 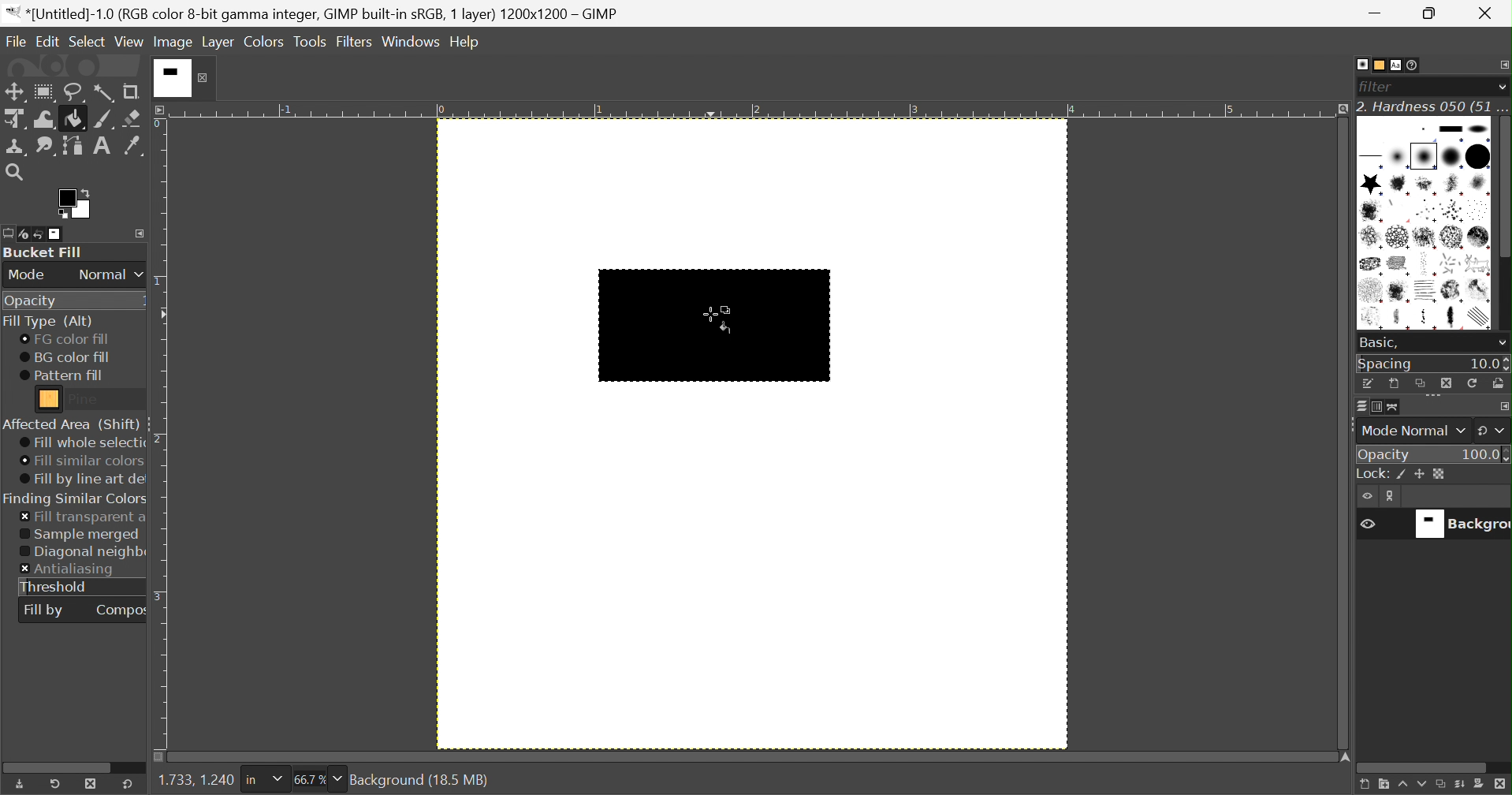 I want to click on 1.733, 1.240, so click(x=194, y=781).